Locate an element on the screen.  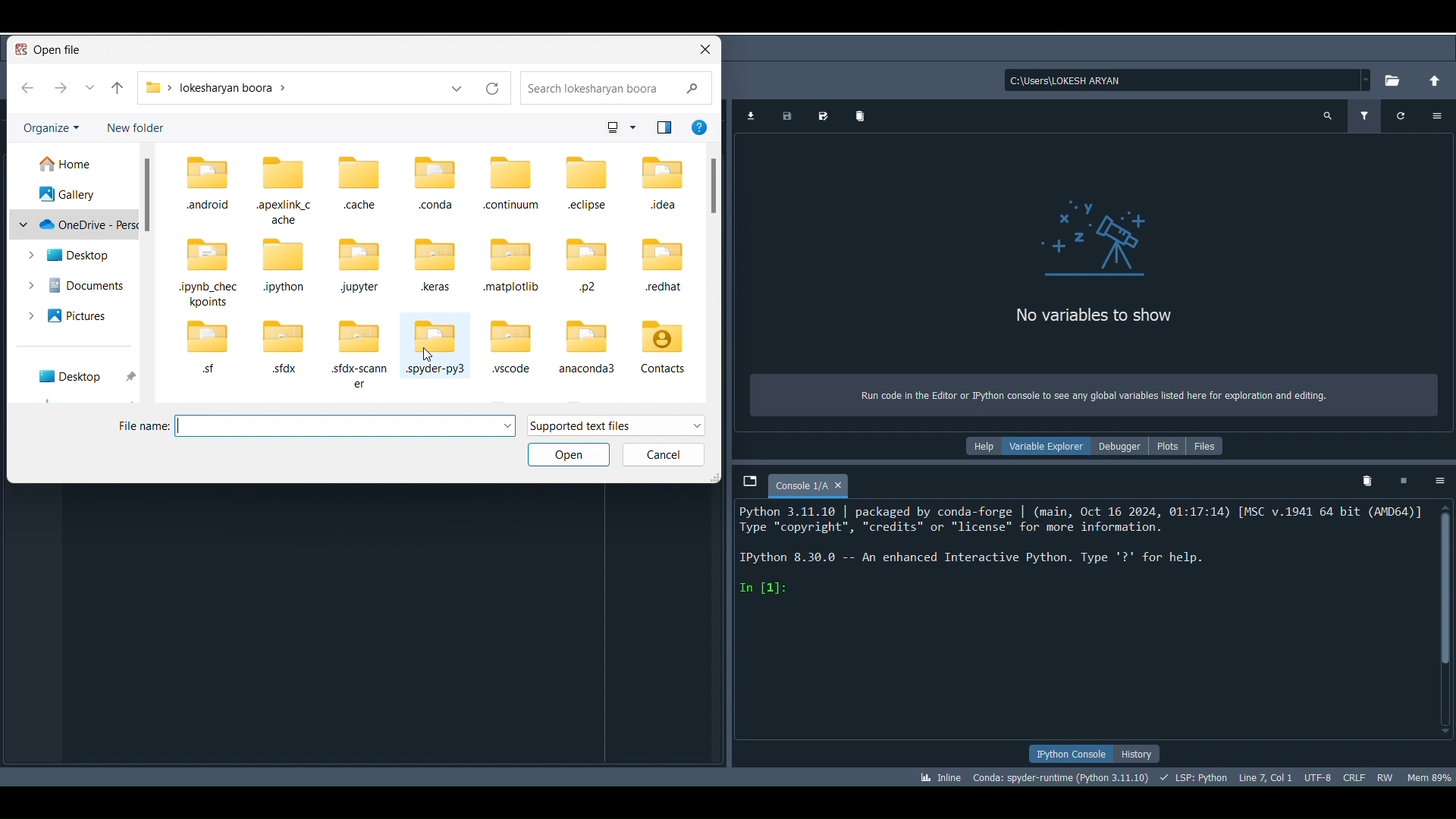
More info is located at coordinates (699, 127).